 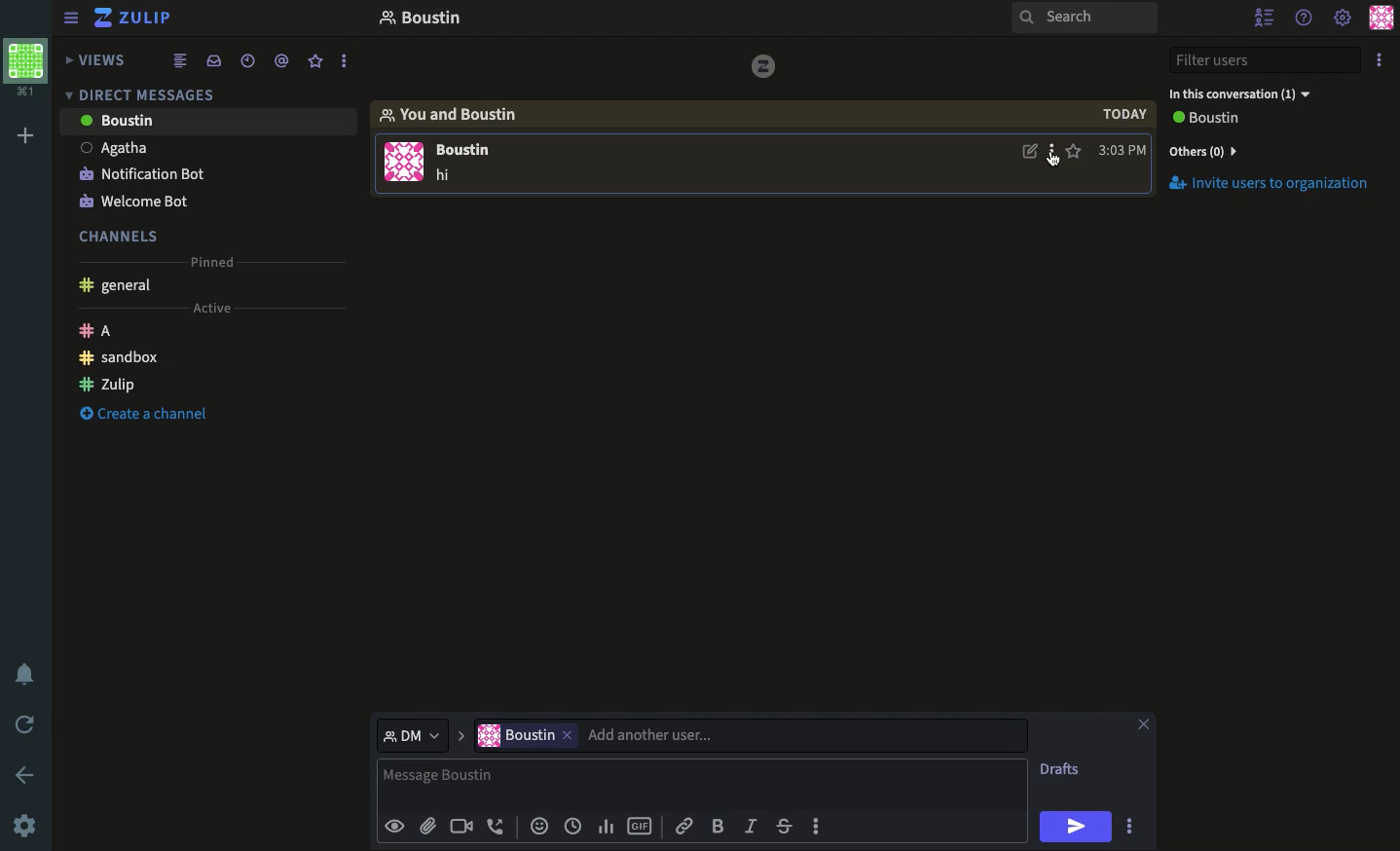 What do you see at coordinates (73, 19) in the screenshot?
I see `Collapse menu` at bounding box center [73, 19].